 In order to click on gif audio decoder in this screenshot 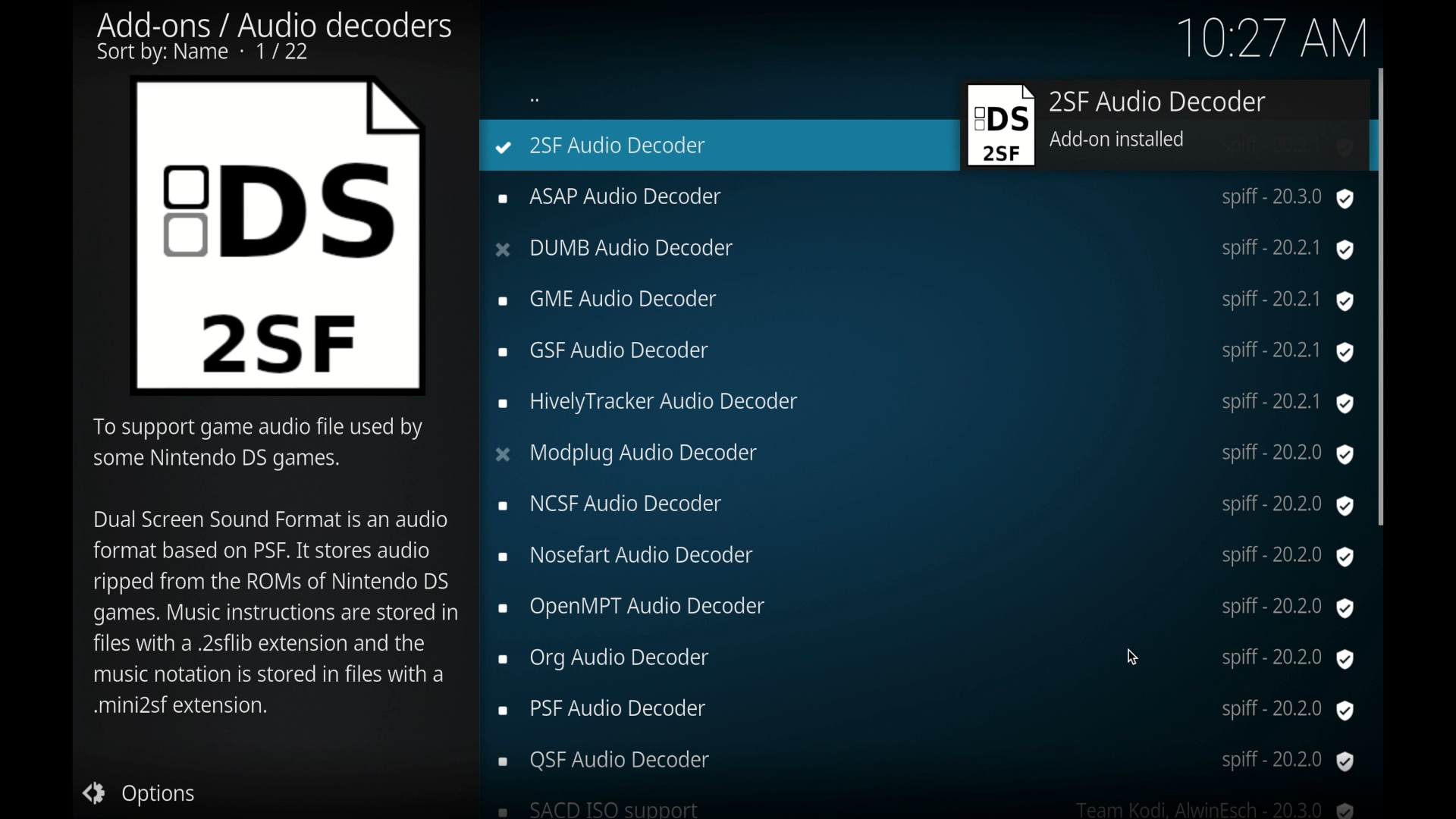, I will do `click(927, 353)`.